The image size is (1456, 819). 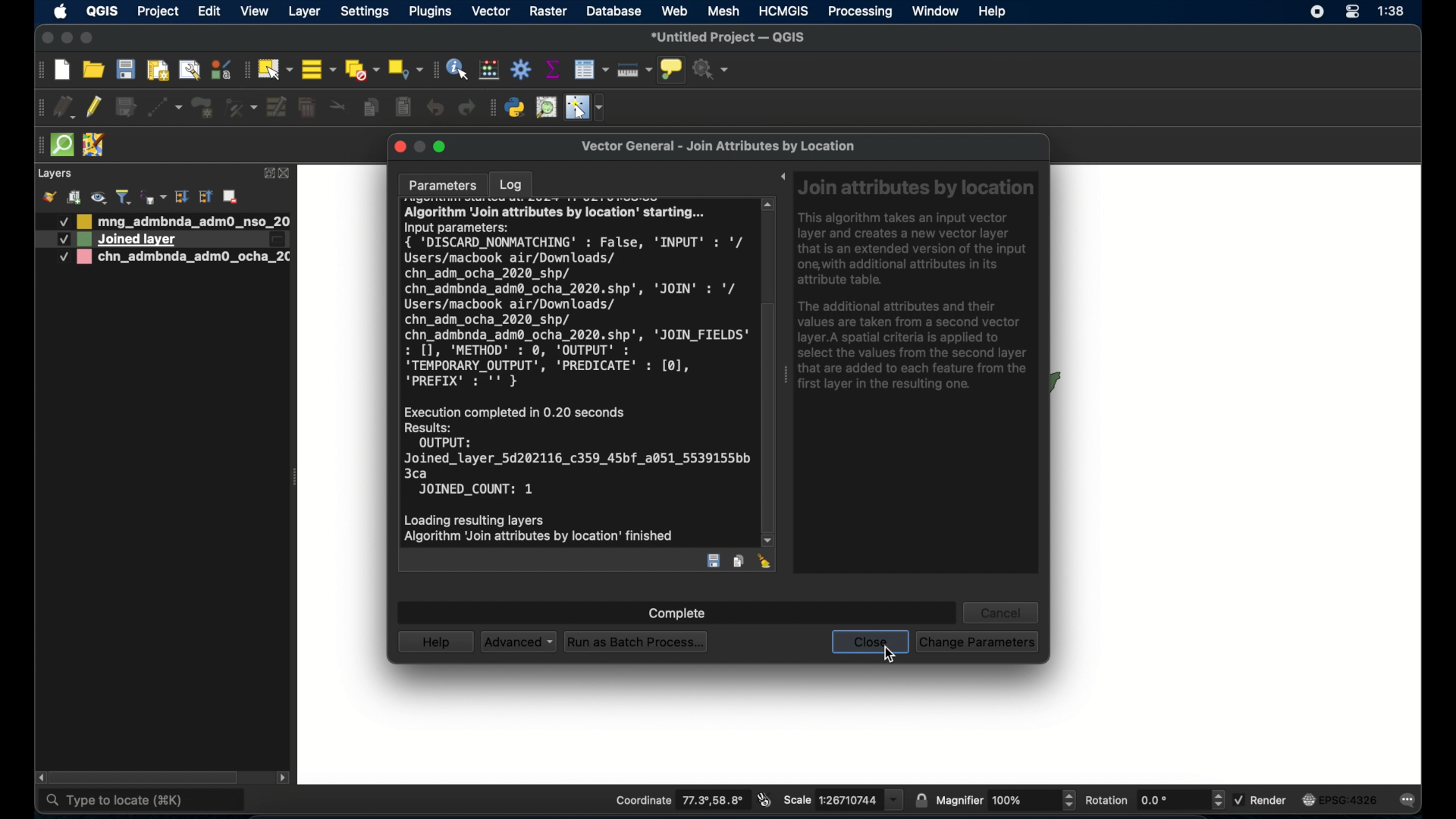 What do you see at coordinates (714, 71) in the screenshot?
I see `no action selected` at bounding box center [714, 71].